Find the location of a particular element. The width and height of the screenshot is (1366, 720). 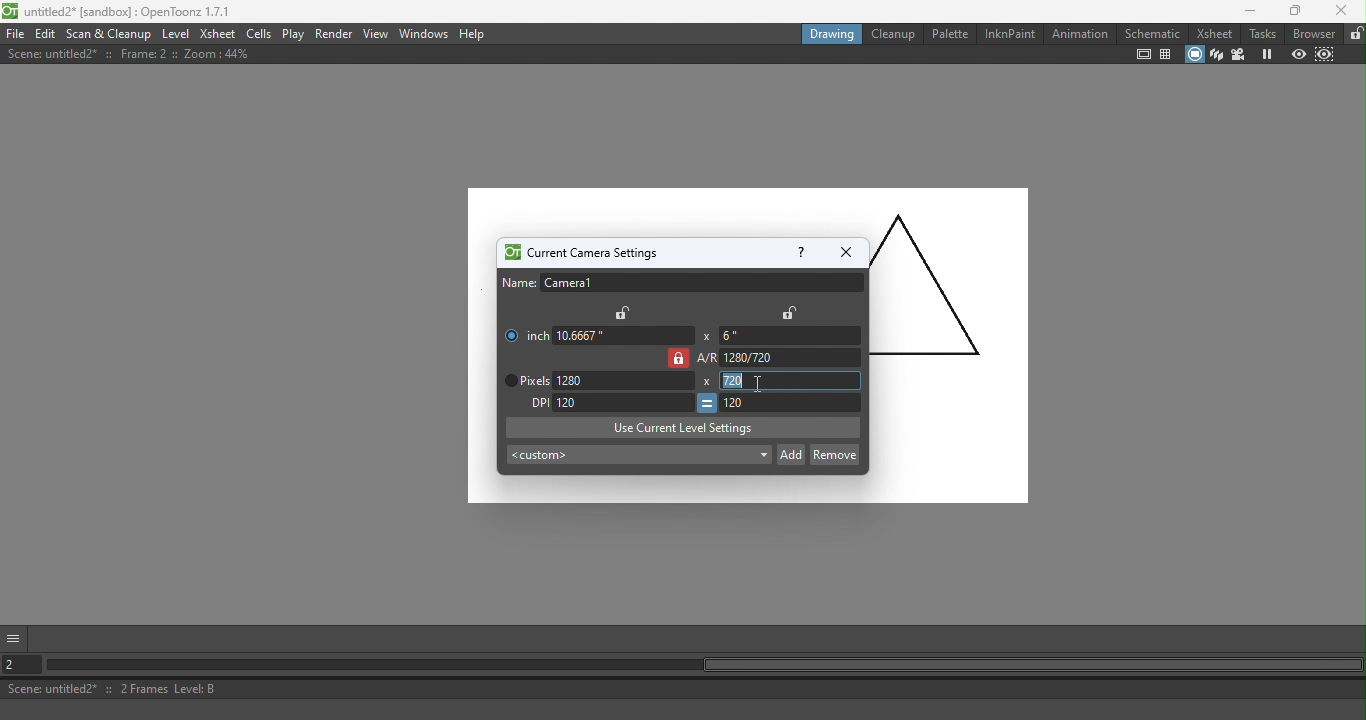

Cells is located at coordinates (258, 33).